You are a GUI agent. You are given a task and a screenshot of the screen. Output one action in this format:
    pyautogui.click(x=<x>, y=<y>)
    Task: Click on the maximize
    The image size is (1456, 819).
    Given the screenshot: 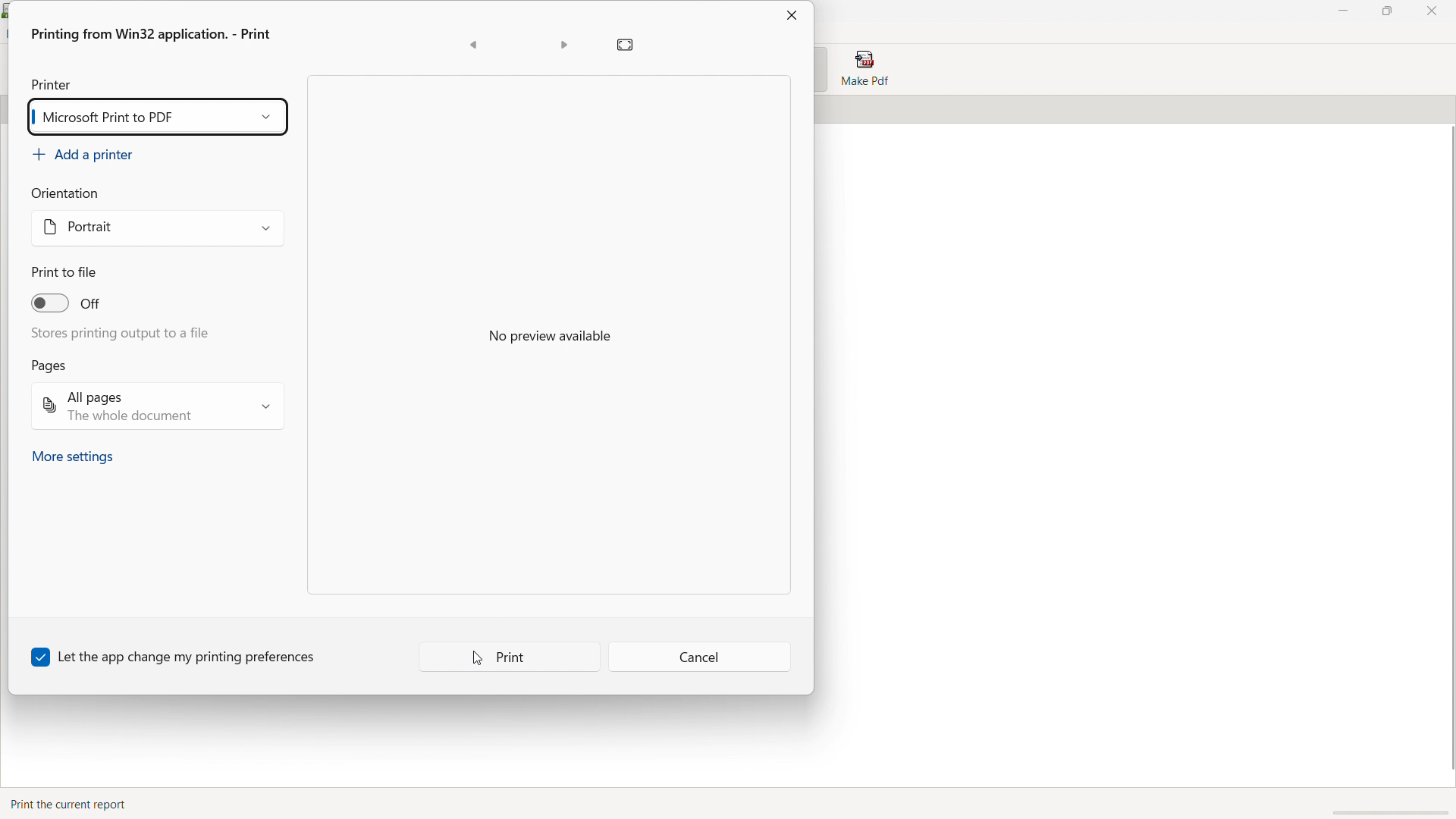 What is the action you would take?
    pyautogui.click(x=1386, y=11)
    